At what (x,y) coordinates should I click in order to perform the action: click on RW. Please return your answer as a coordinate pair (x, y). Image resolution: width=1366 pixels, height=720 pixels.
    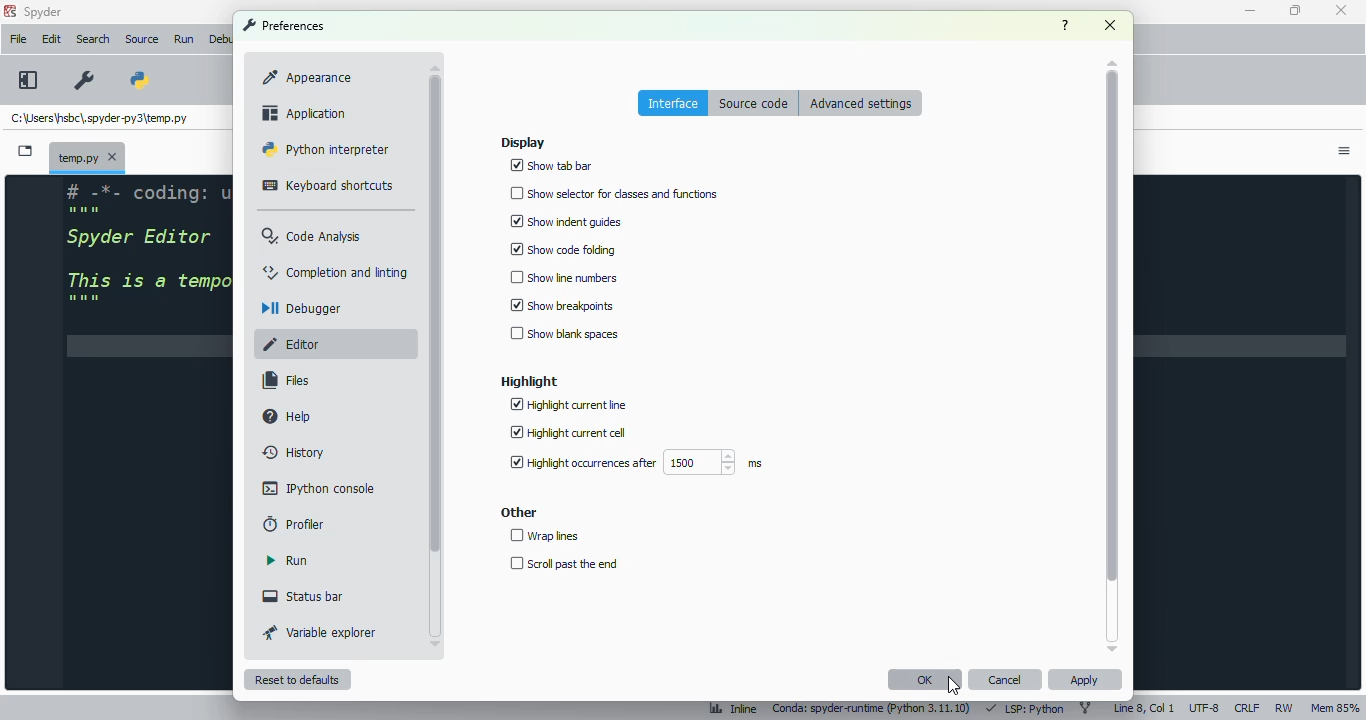
    Looking at the image, I should click on (1285, 708).